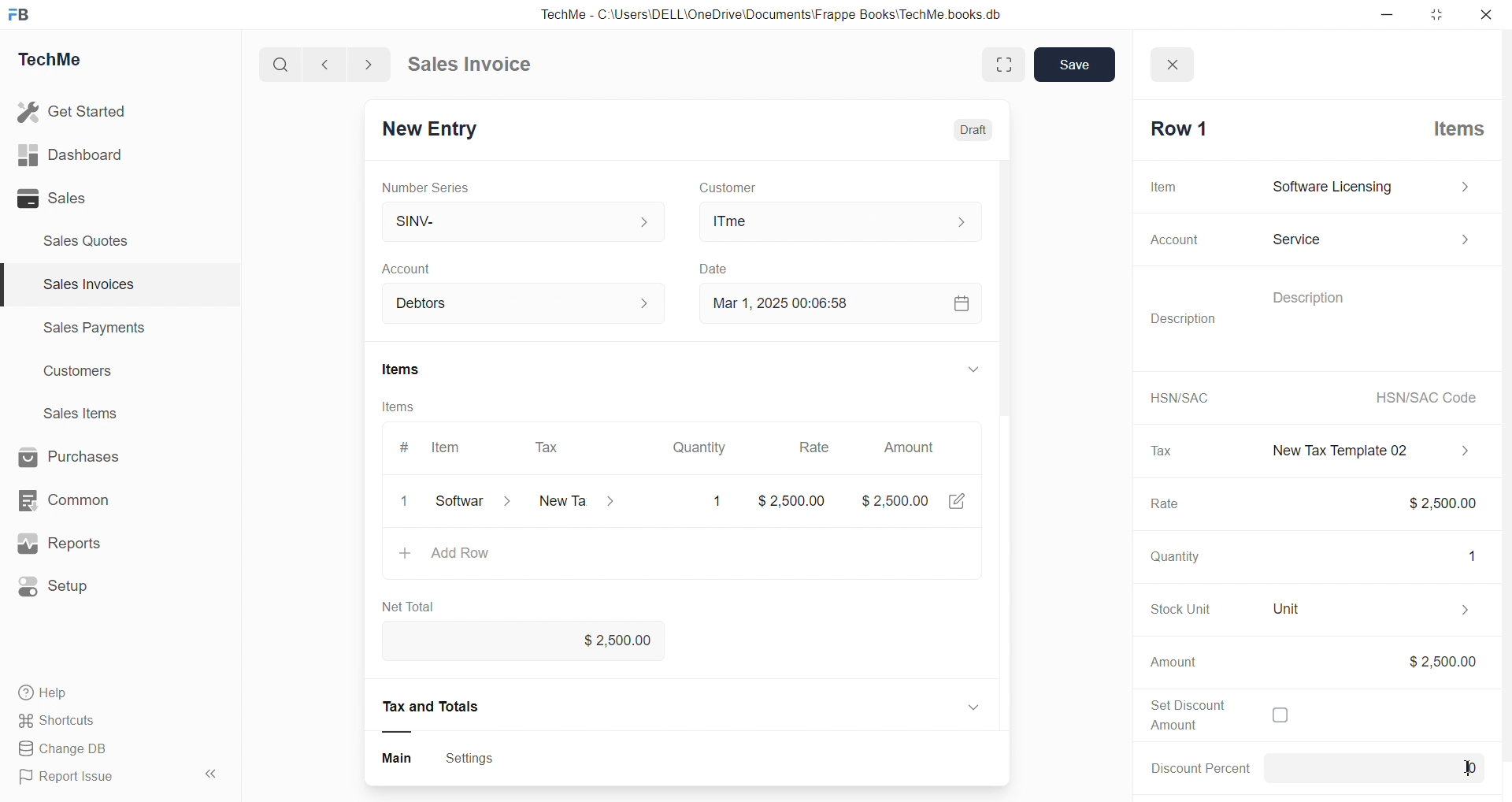 Image resolution: width=1512 pixels, height=802 pixels. I want to click on  Help, so click(51, 695).